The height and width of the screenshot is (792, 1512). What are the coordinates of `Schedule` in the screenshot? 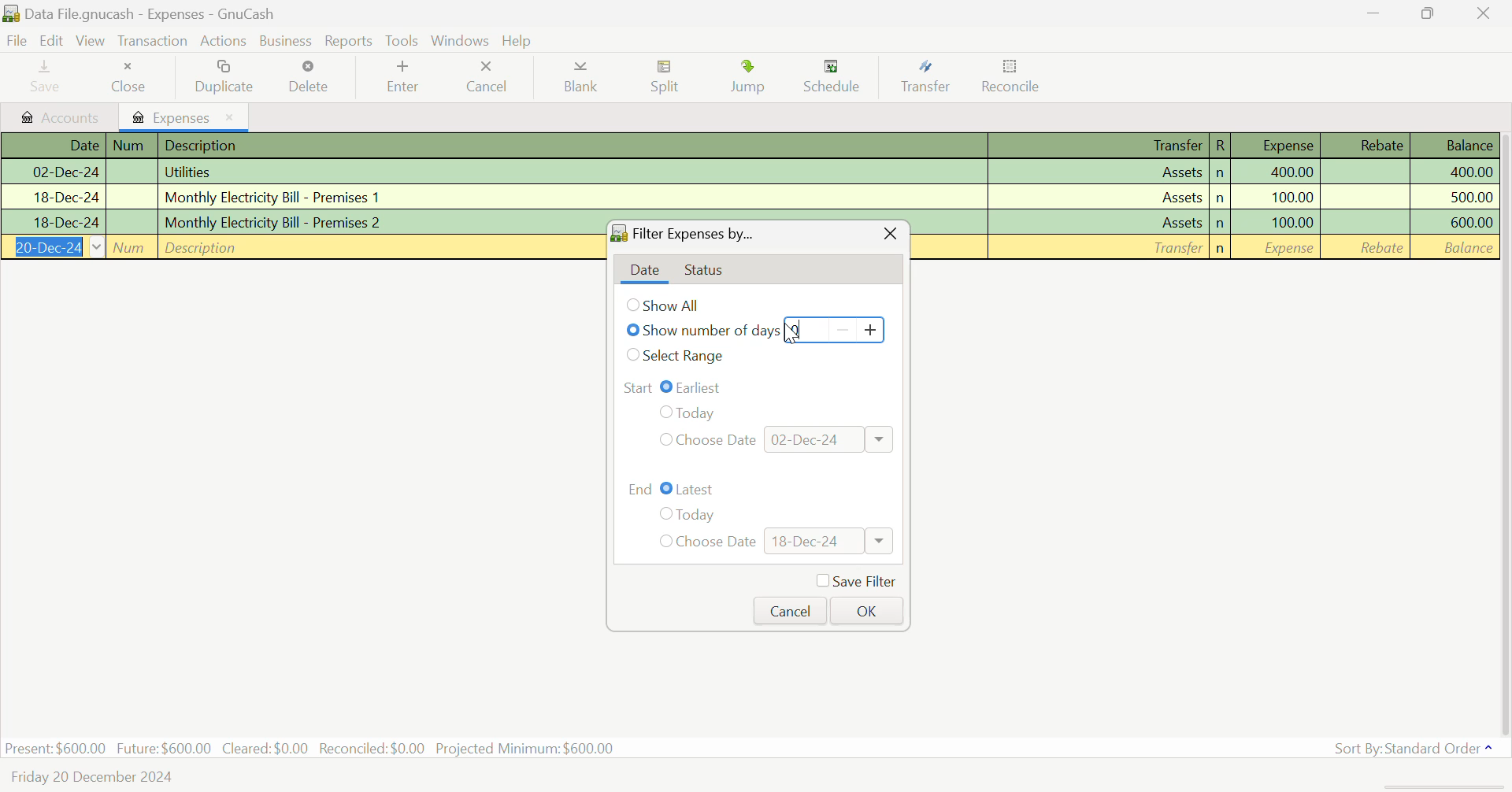 It's located at (839, 79).